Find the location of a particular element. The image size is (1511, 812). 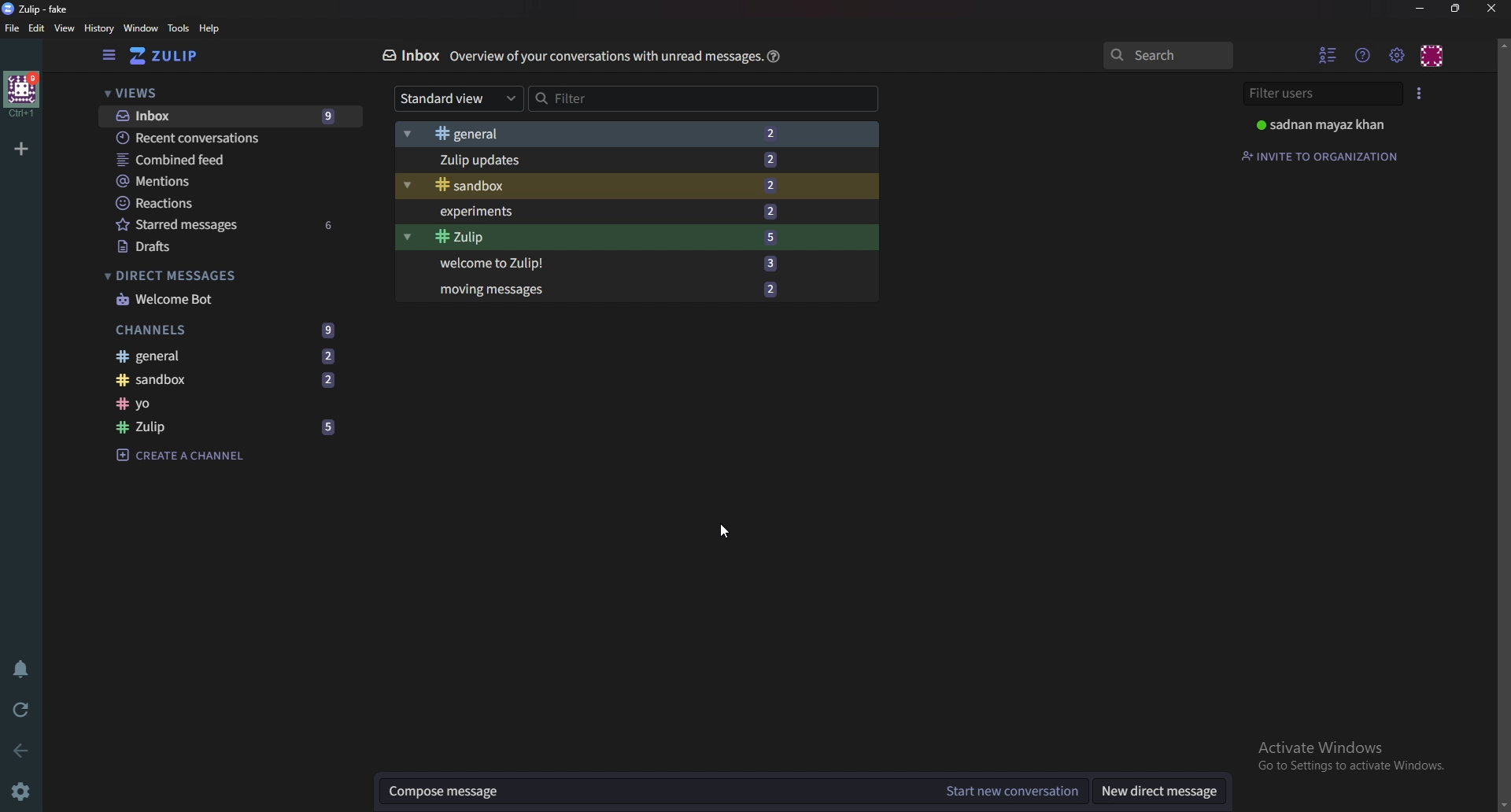

drafts is located at coordinates (228, 246).